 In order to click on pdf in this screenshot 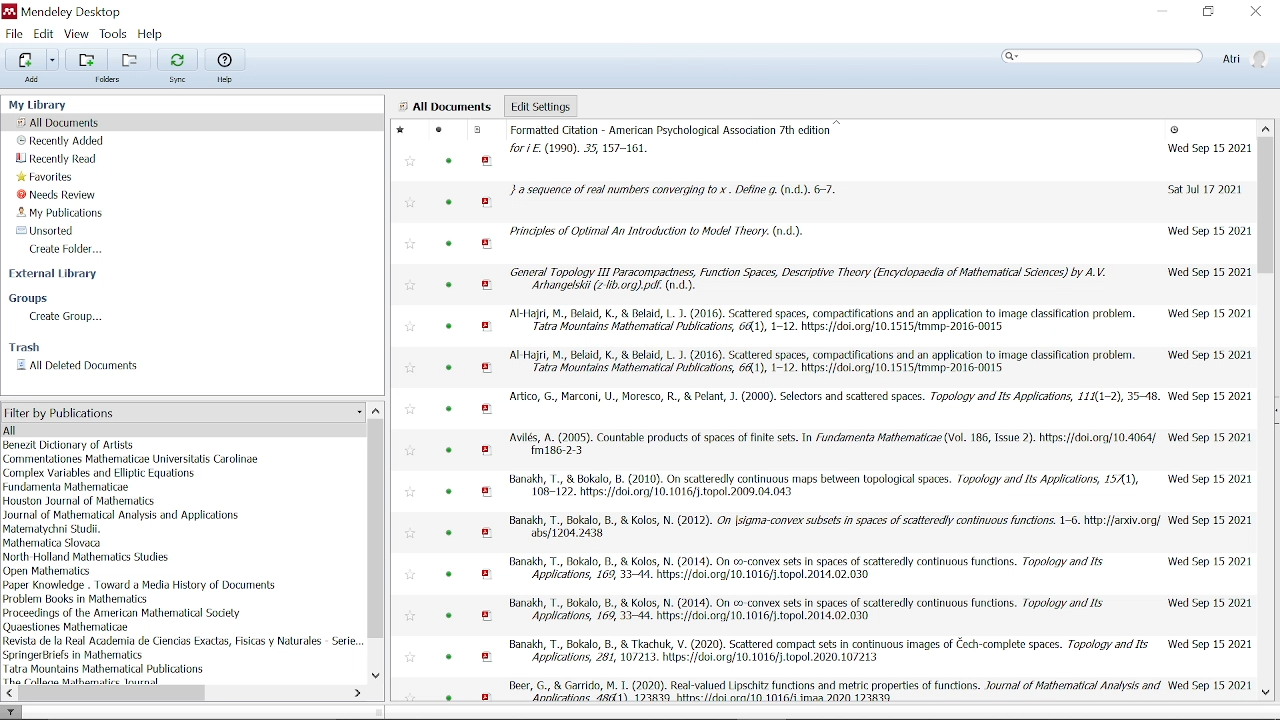, I will do `click(488, 574)`.